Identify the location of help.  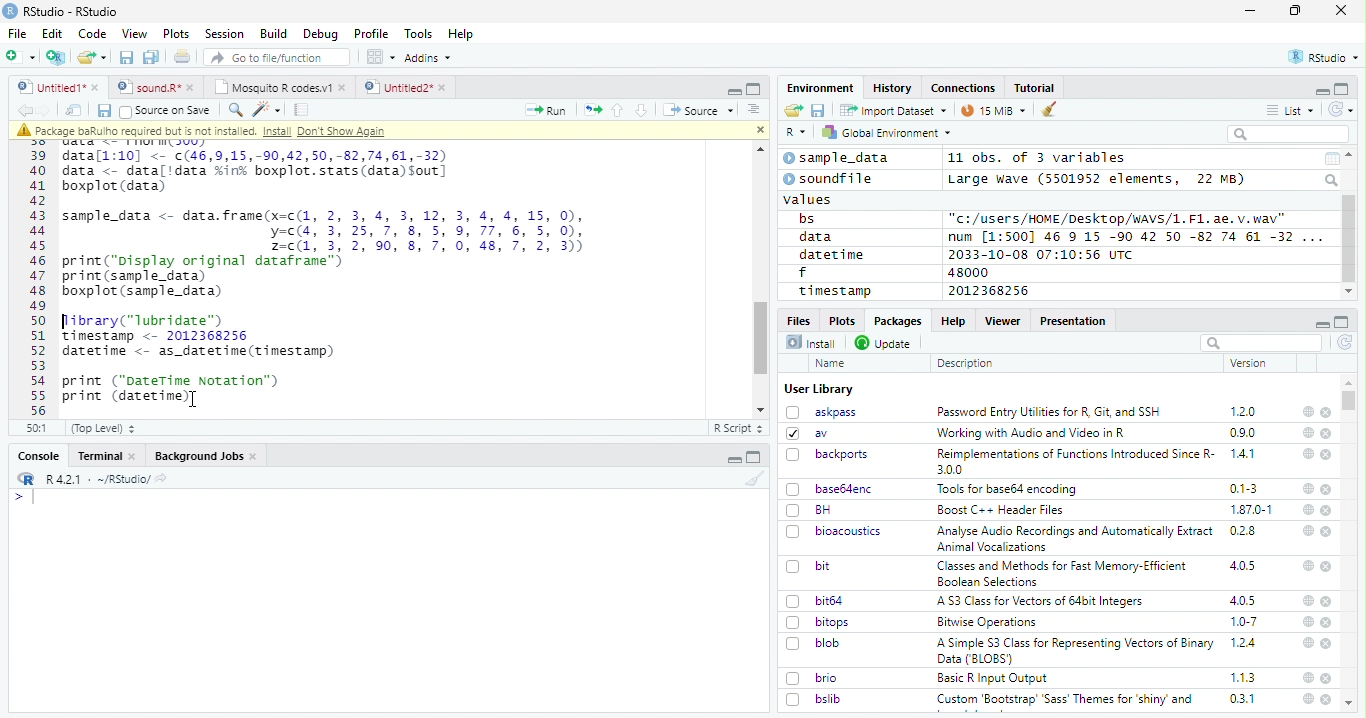
(1307, 411).